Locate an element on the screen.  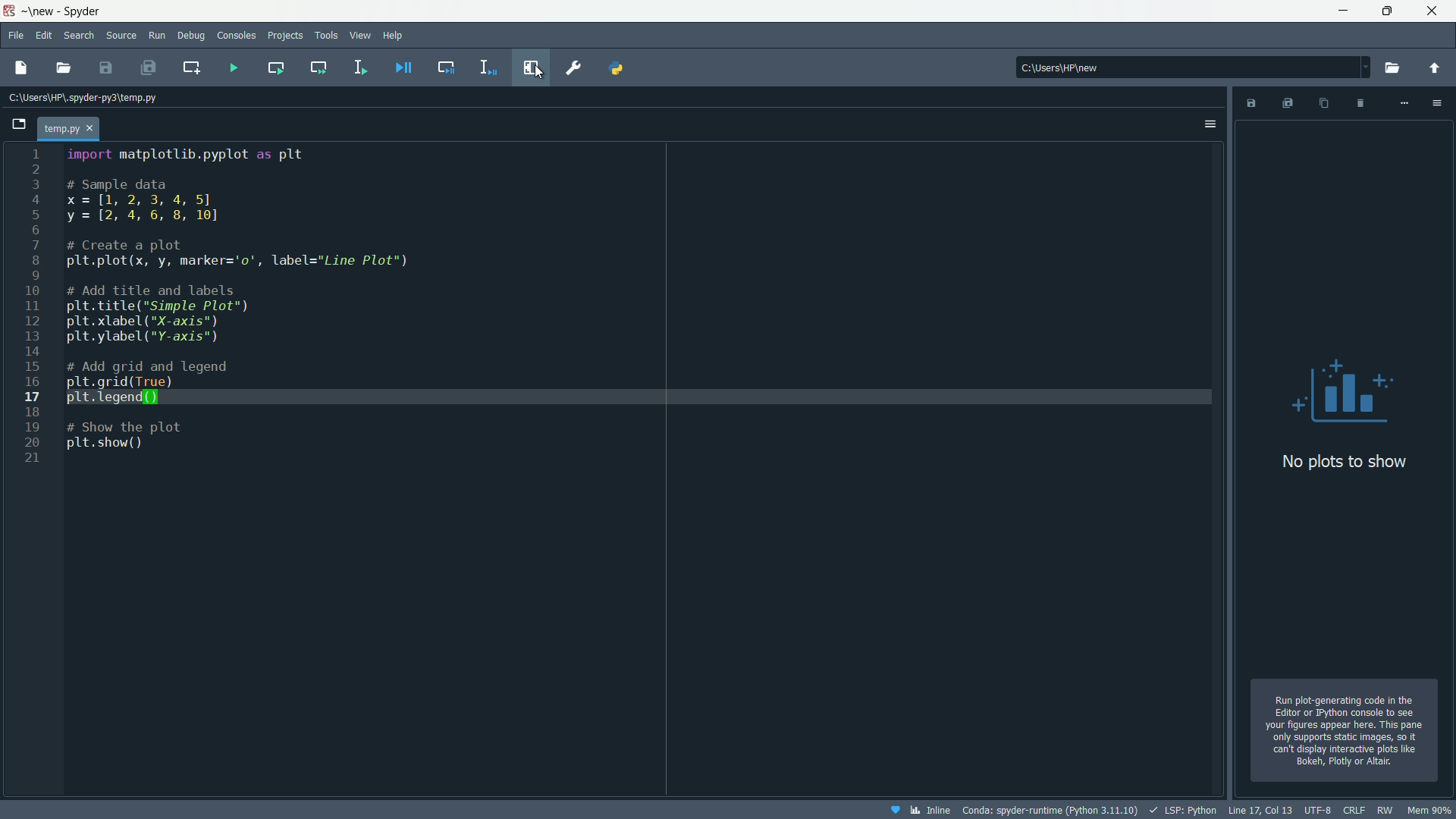
cursor position is located at coordinates (1260, 811).